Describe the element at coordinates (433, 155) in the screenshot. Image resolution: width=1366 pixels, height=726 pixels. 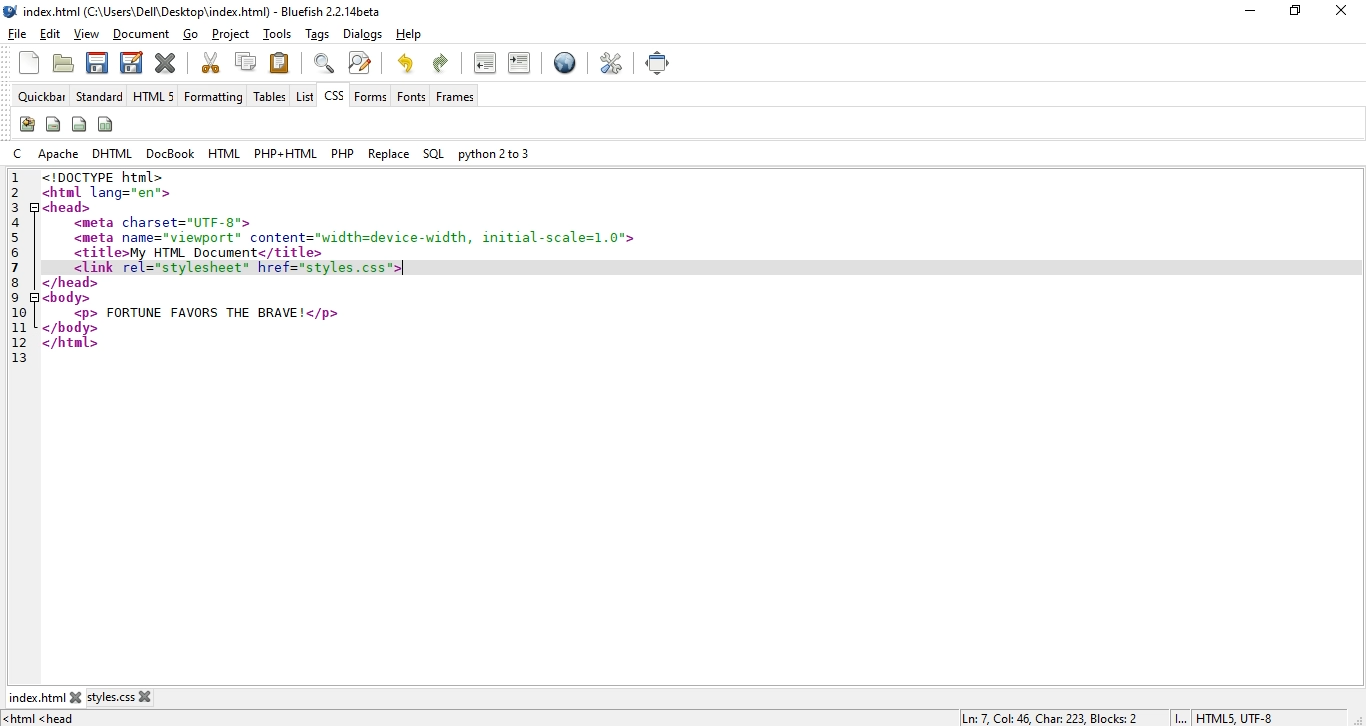
I see `sql` at that location.